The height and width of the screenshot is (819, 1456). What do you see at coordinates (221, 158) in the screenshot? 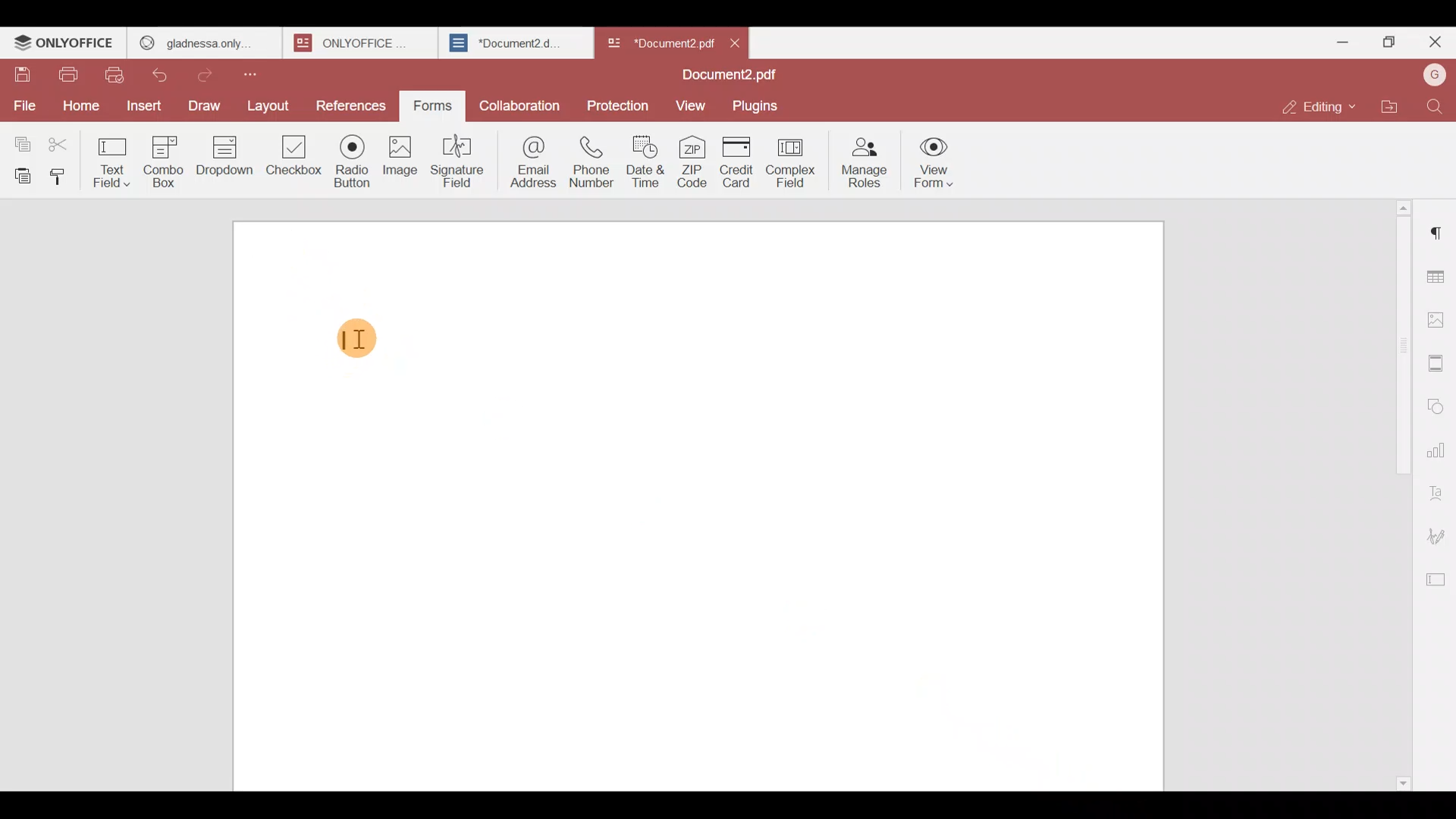
I see `Dropdown` at bounding box center [221, 158].